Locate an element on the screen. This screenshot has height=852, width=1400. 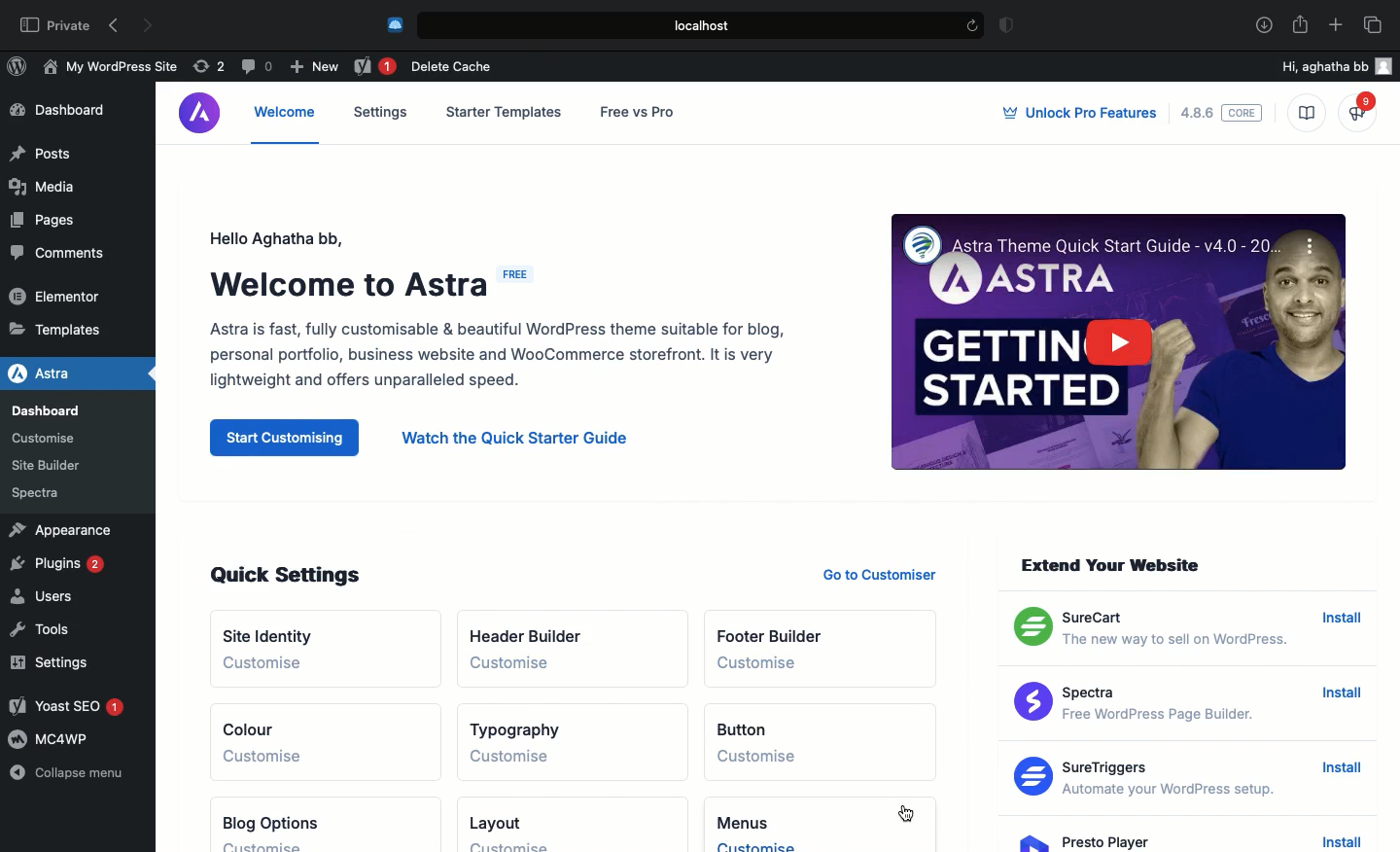
Tools is located at coordinates (44, 633).